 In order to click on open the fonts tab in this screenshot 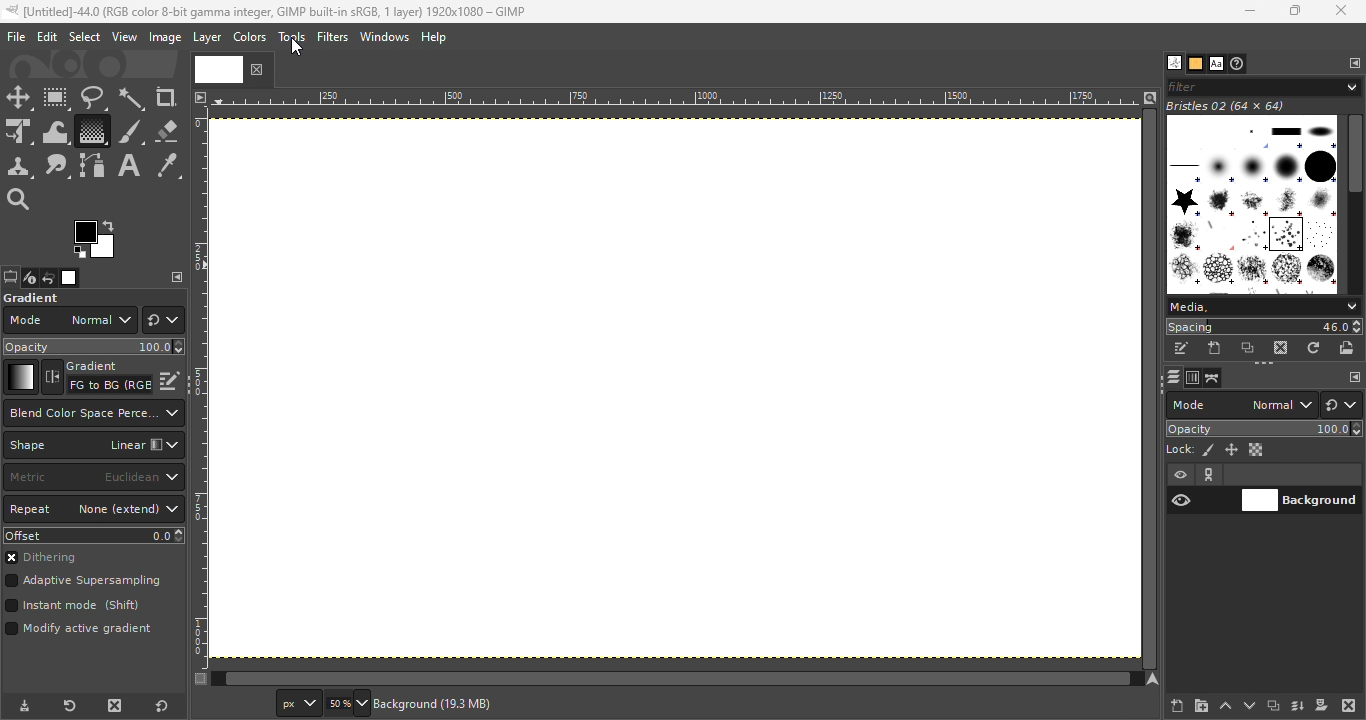, I will do `click(1216, 64)`.